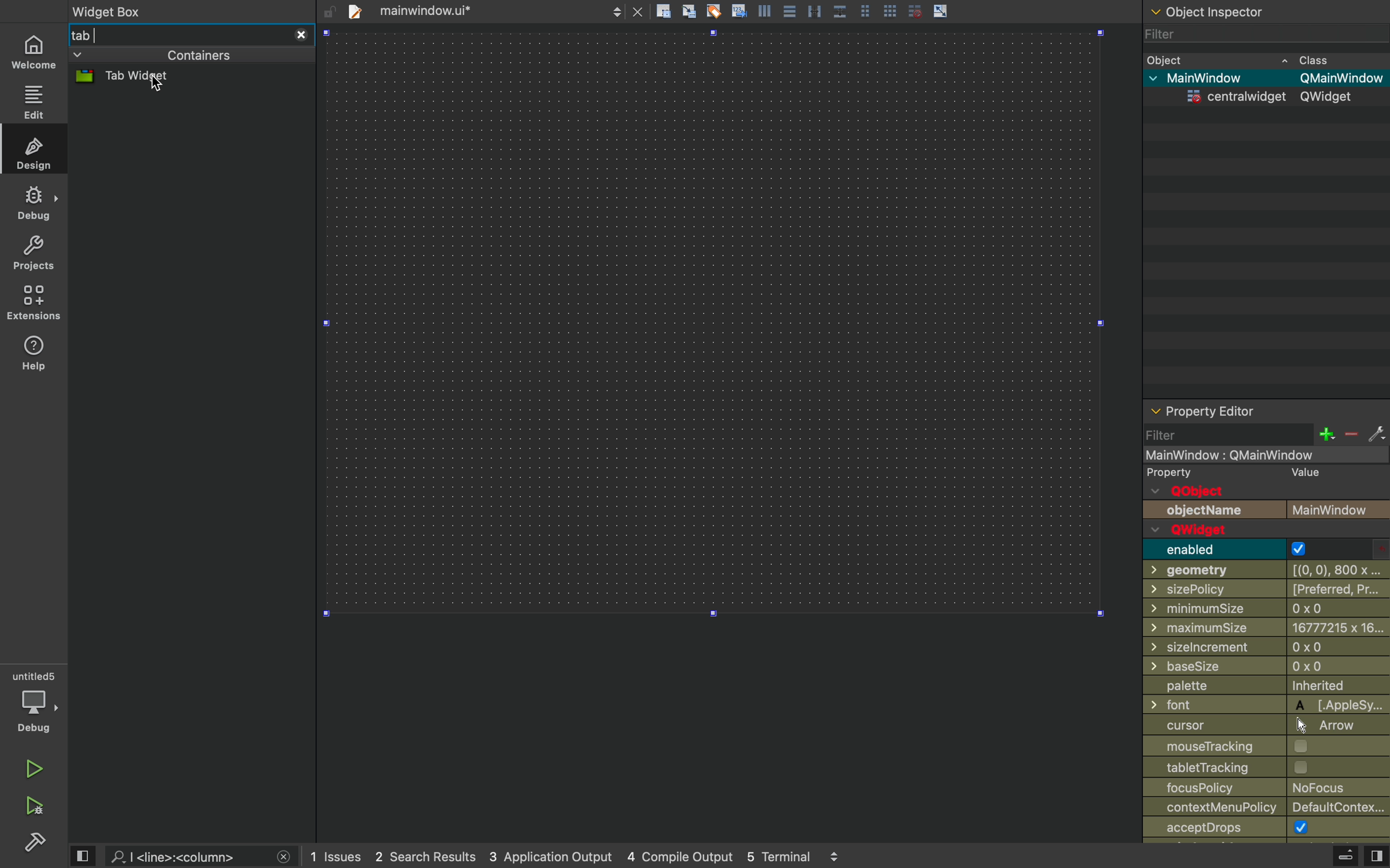  Describe the element at coordinates (1266, 706) in the screenshot. I see `font` at that location.